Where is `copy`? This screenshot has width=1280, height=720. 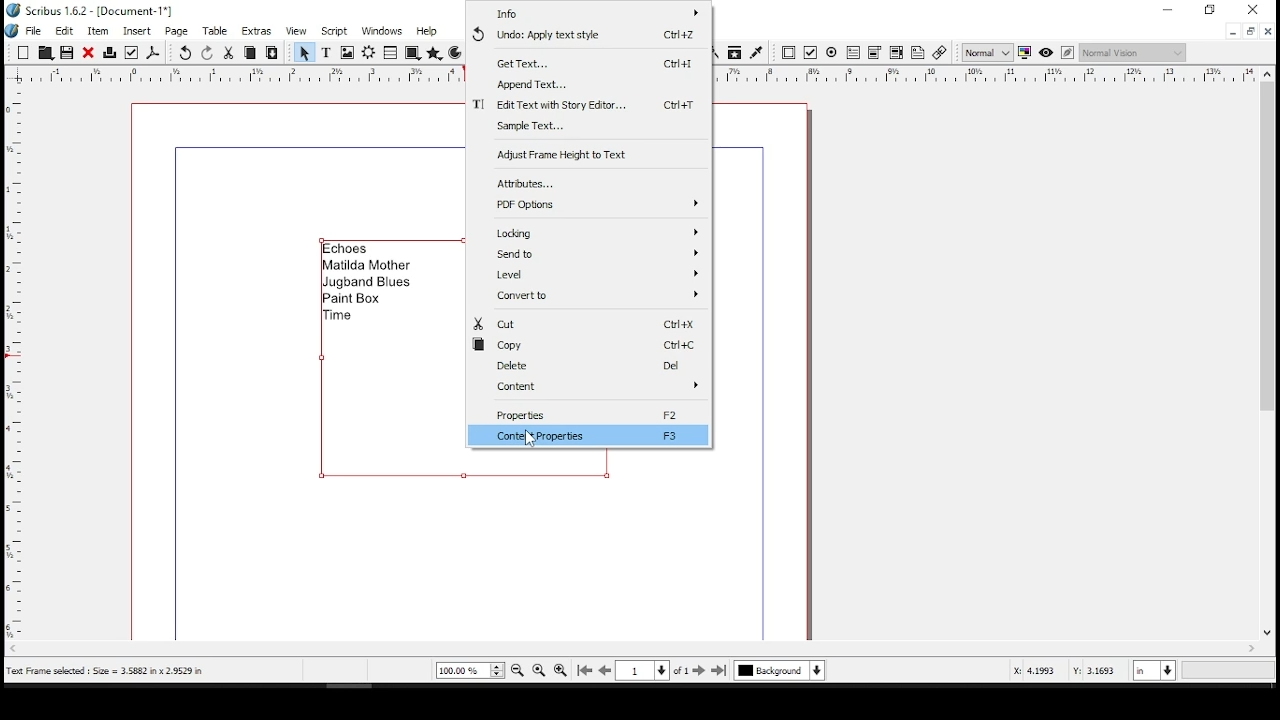
copy is located at coordinates (251, 52).